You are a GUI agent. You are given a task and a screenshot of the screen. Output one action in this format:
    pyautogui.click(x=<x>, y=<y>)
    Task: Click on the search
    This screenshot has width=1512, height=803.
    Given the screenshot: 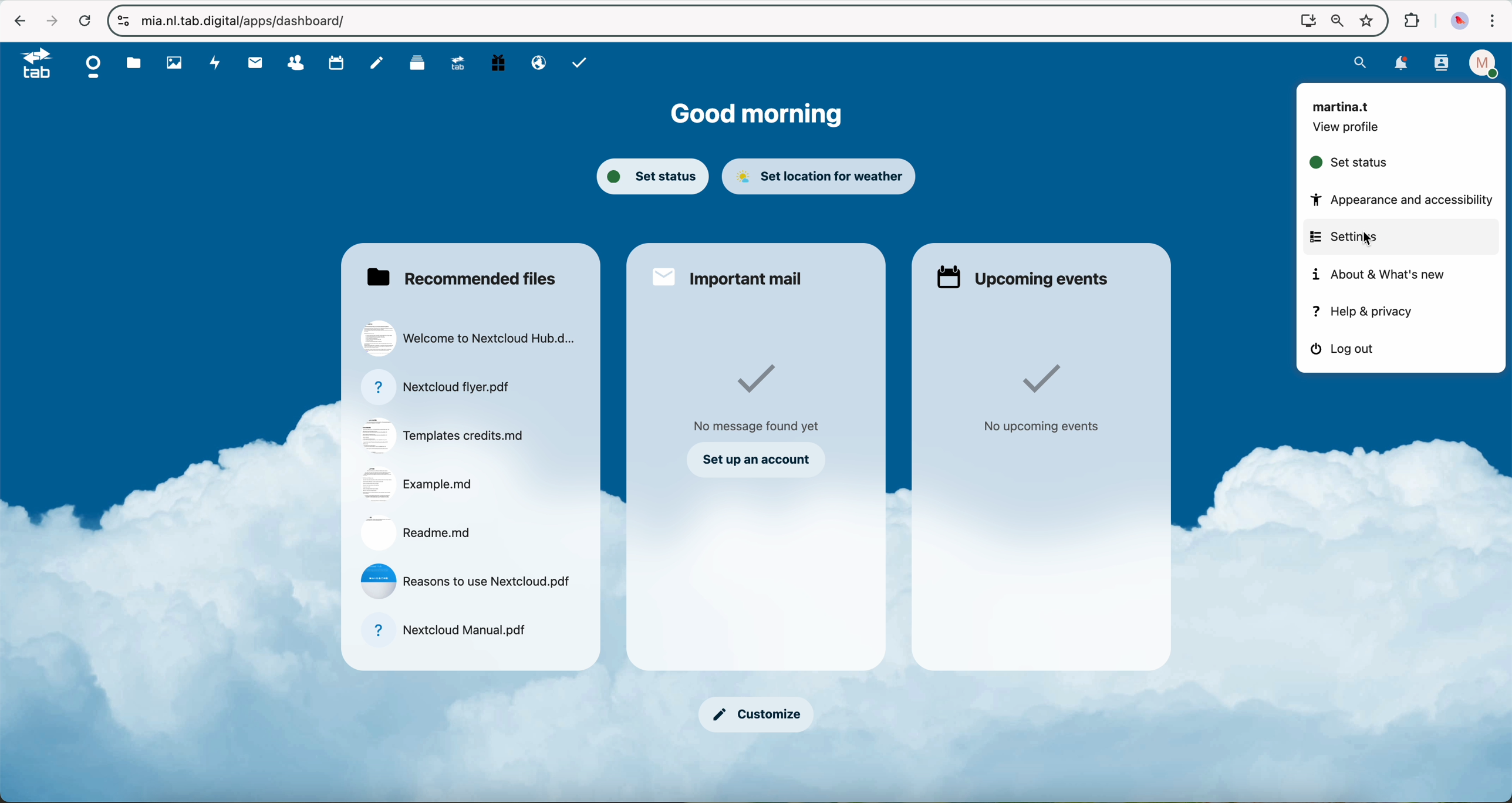 What is the action you would take?
    pyautogui.click(x=1362, y=62)
    